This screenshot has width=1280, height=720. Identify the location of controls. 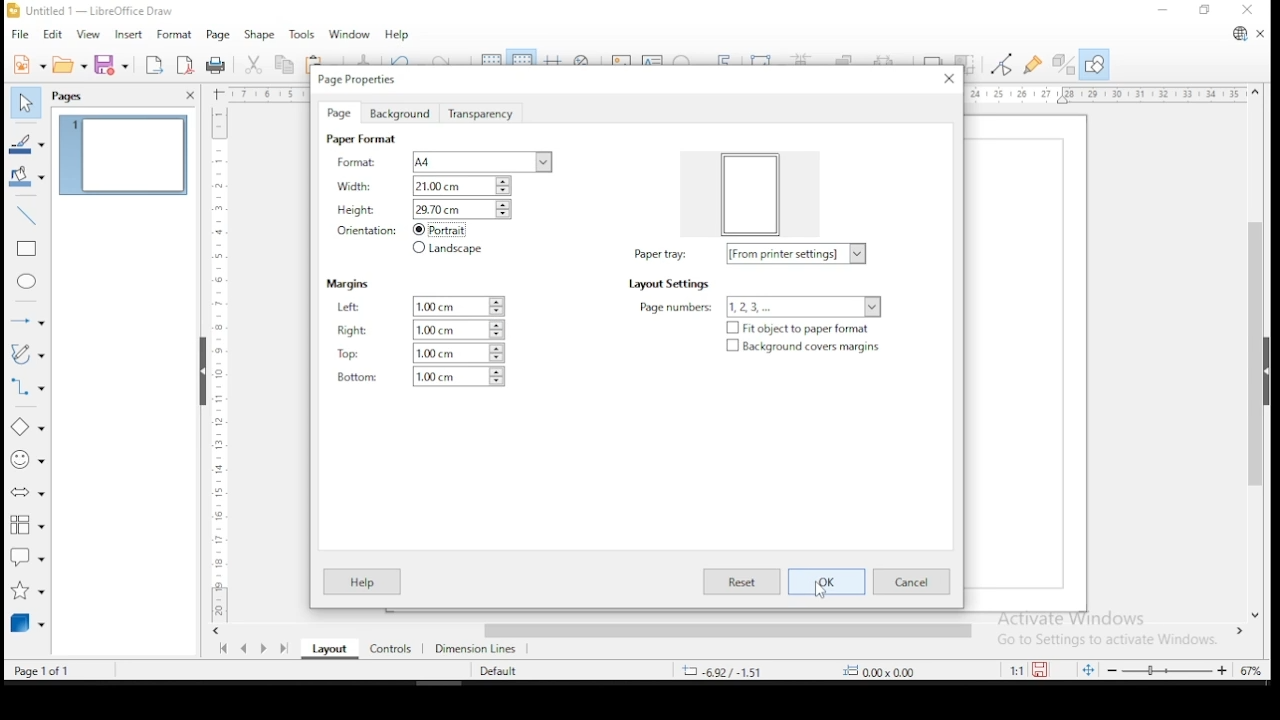
(389, 650).